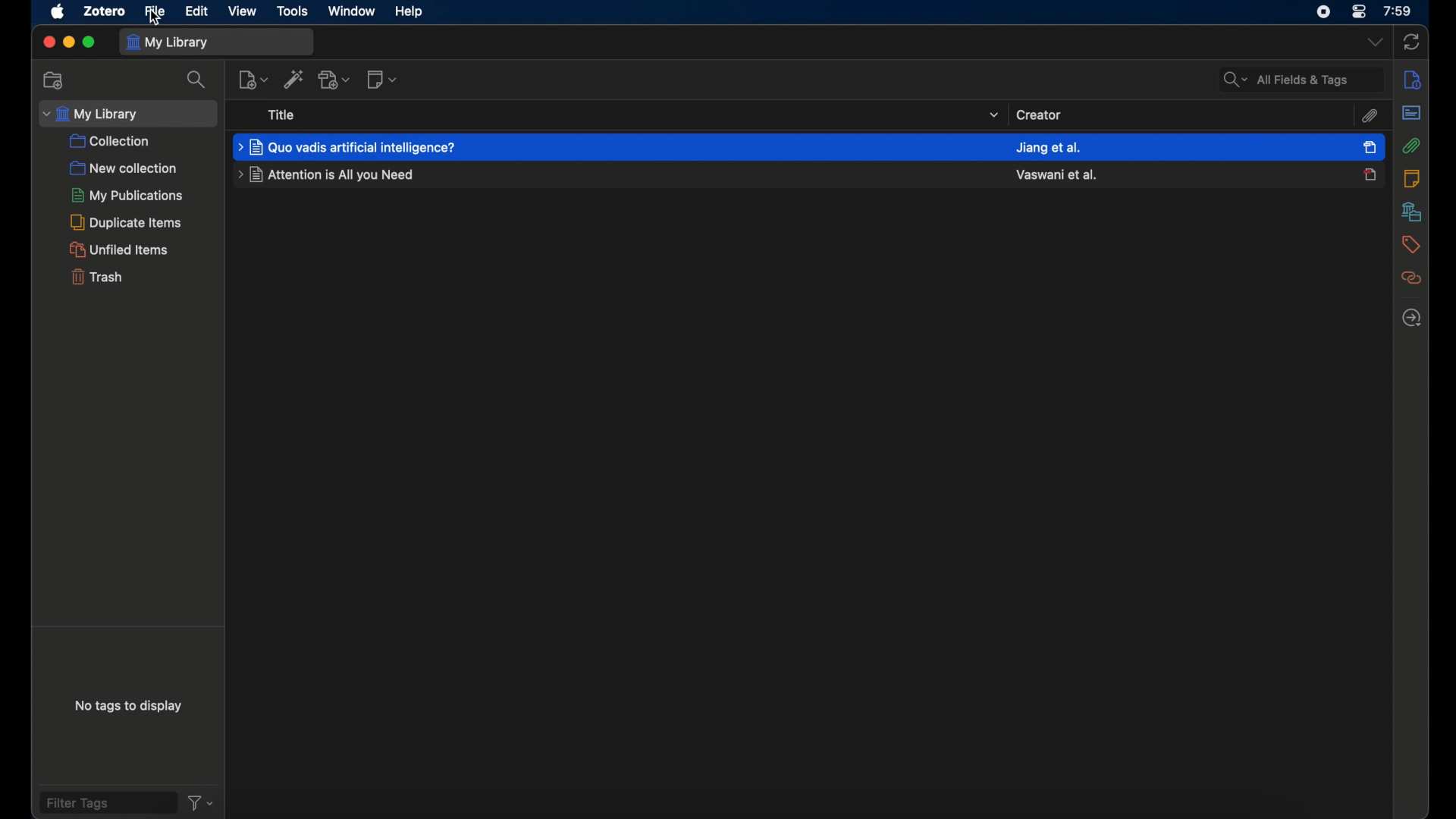 This screenshot has height=819, width=1456. I want to click on minimize, so click(68, 42).